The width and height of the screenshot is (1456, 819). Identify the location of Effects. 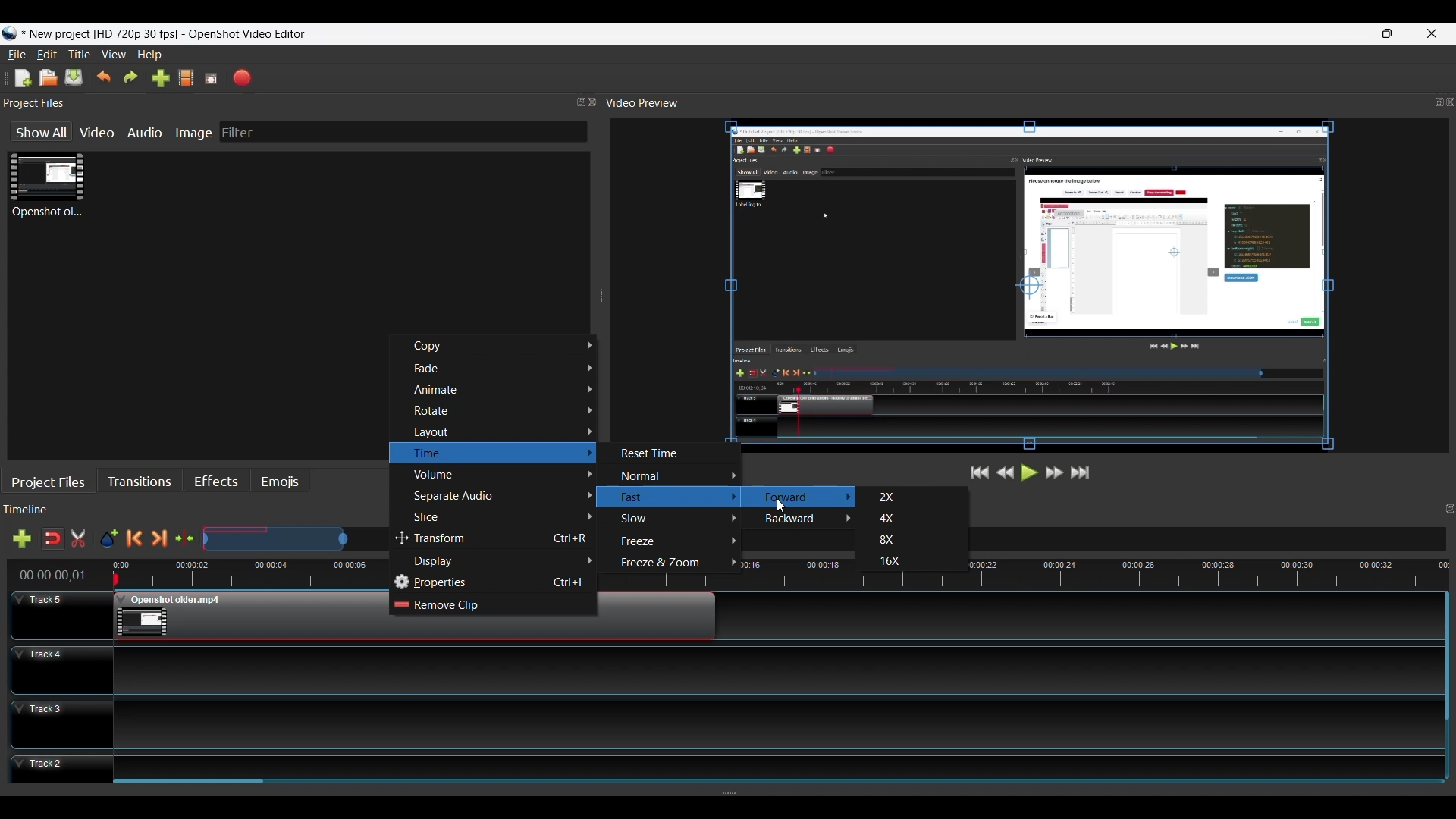
(216, 482).